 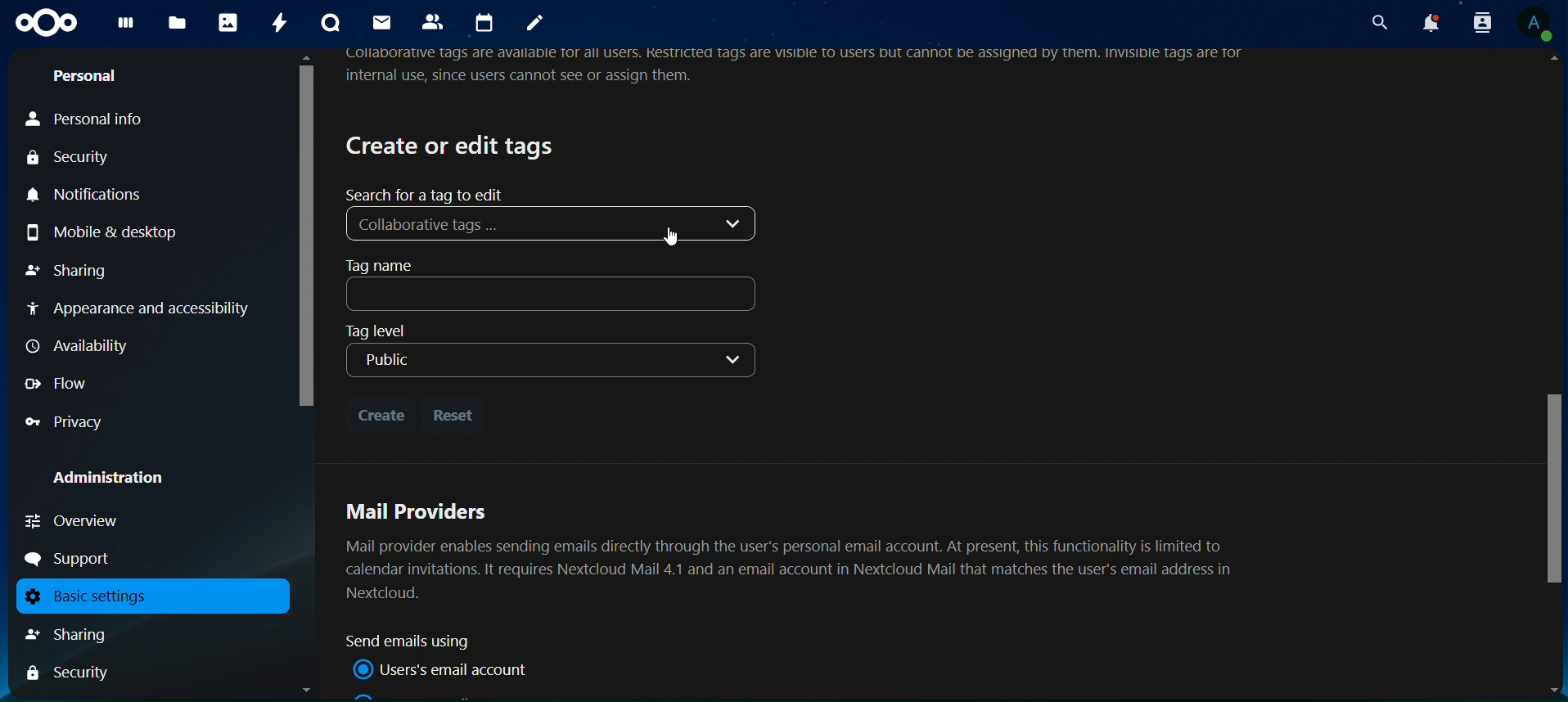 What do you see at coordinates (141, 311) in the screenshot?
I see `appearance and accessibility` at bounding box center [141, 311].